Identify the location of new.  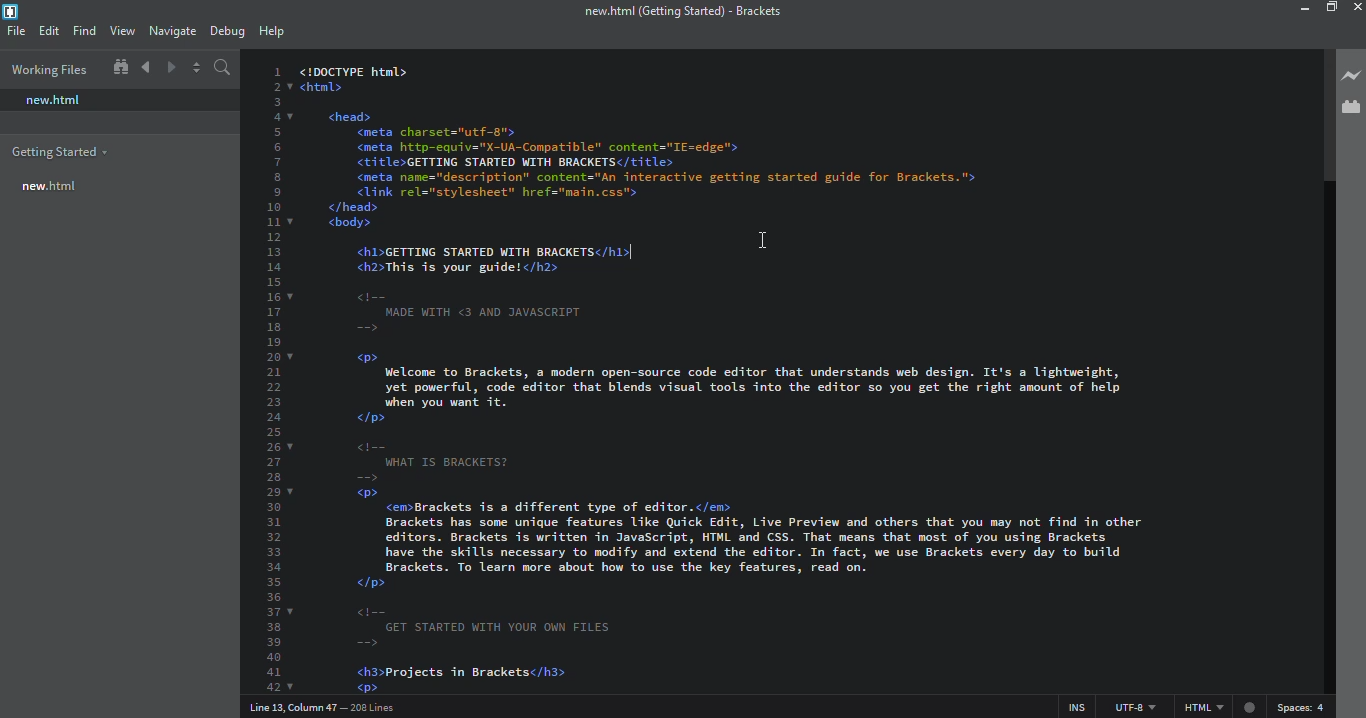
(56, 100).